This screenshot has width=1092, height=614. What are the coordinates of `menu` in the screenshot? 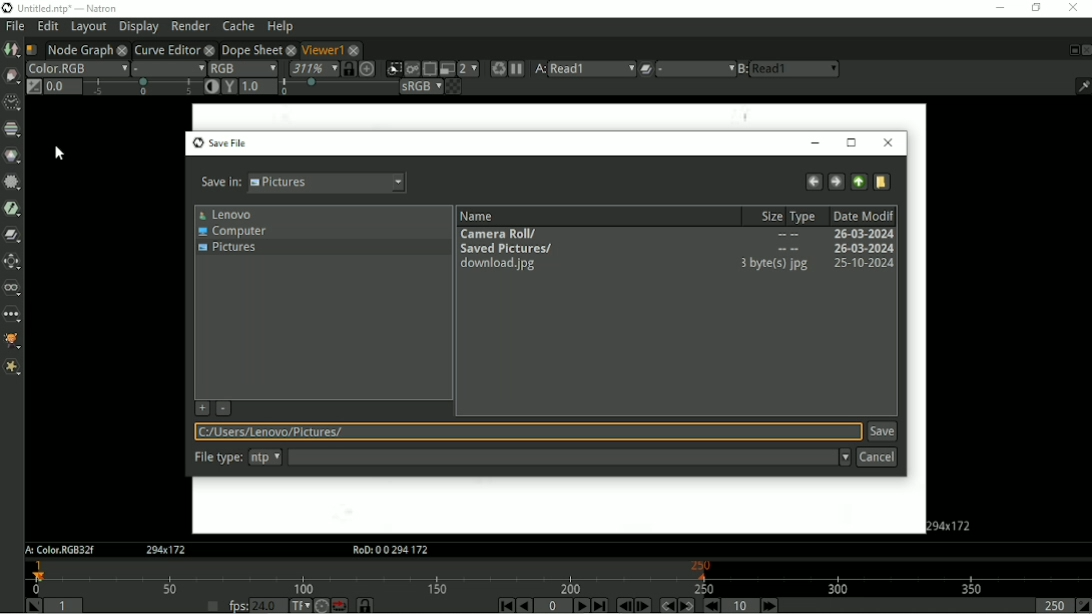 It's located at (695, 69).